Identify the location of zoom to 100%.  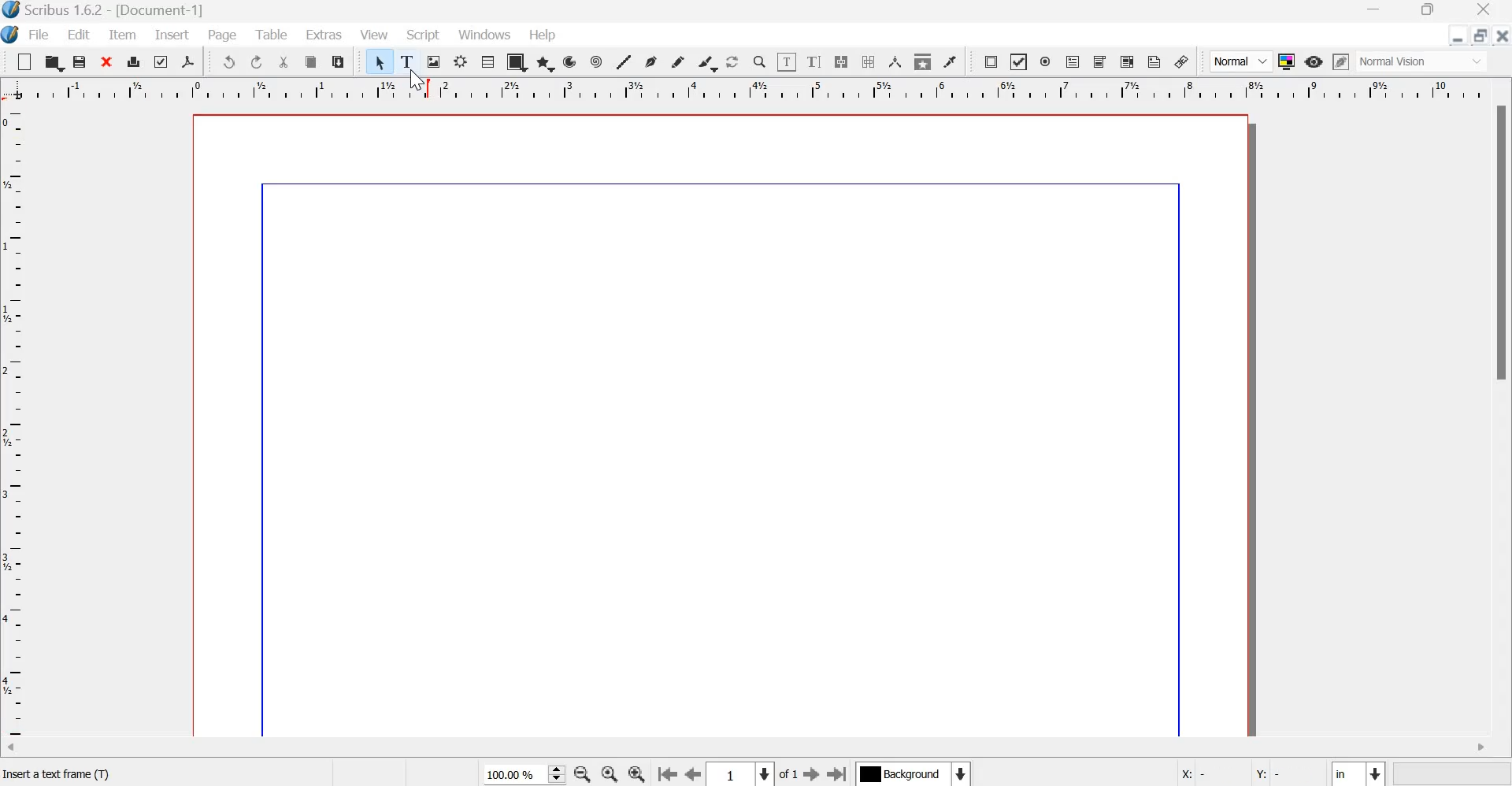
(611, 774).